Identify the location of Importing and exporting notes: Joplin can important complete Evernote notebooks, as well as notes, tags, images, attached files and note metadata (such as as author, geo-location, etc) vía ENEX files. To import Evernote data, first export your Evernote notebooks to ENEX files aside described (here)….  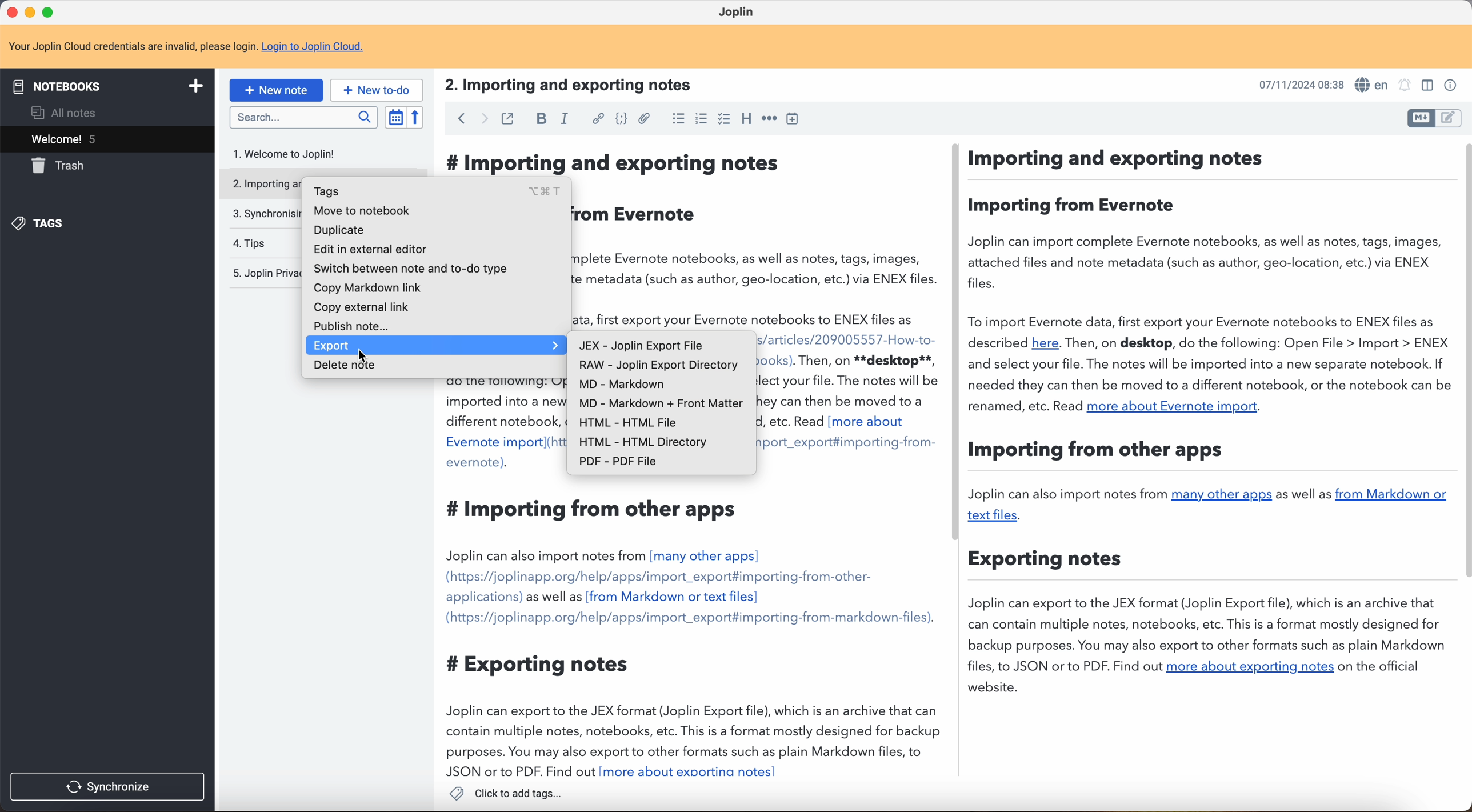
(1210, 423).